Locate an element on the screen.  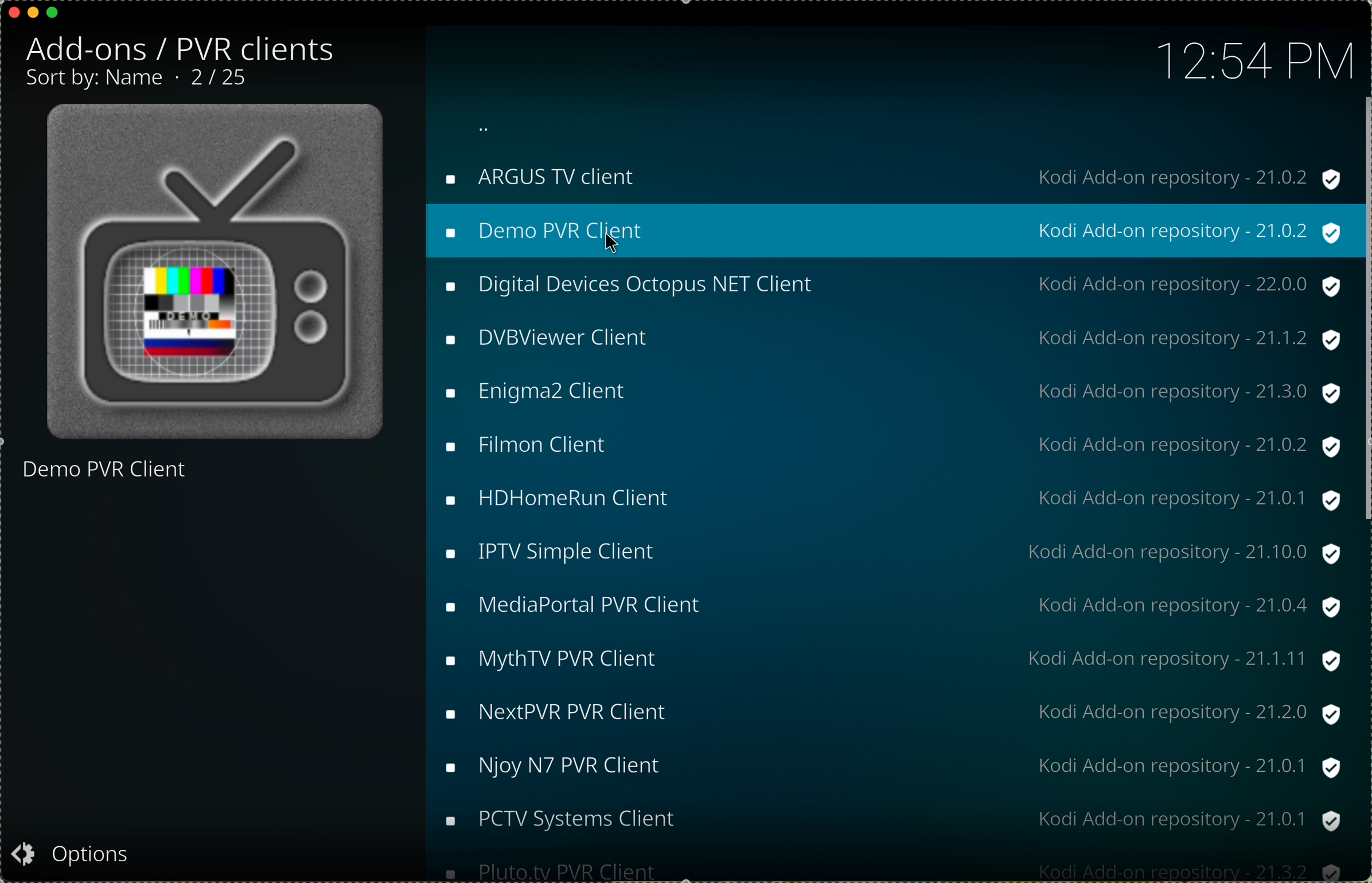
verified is located at coordinates (1337, 523).